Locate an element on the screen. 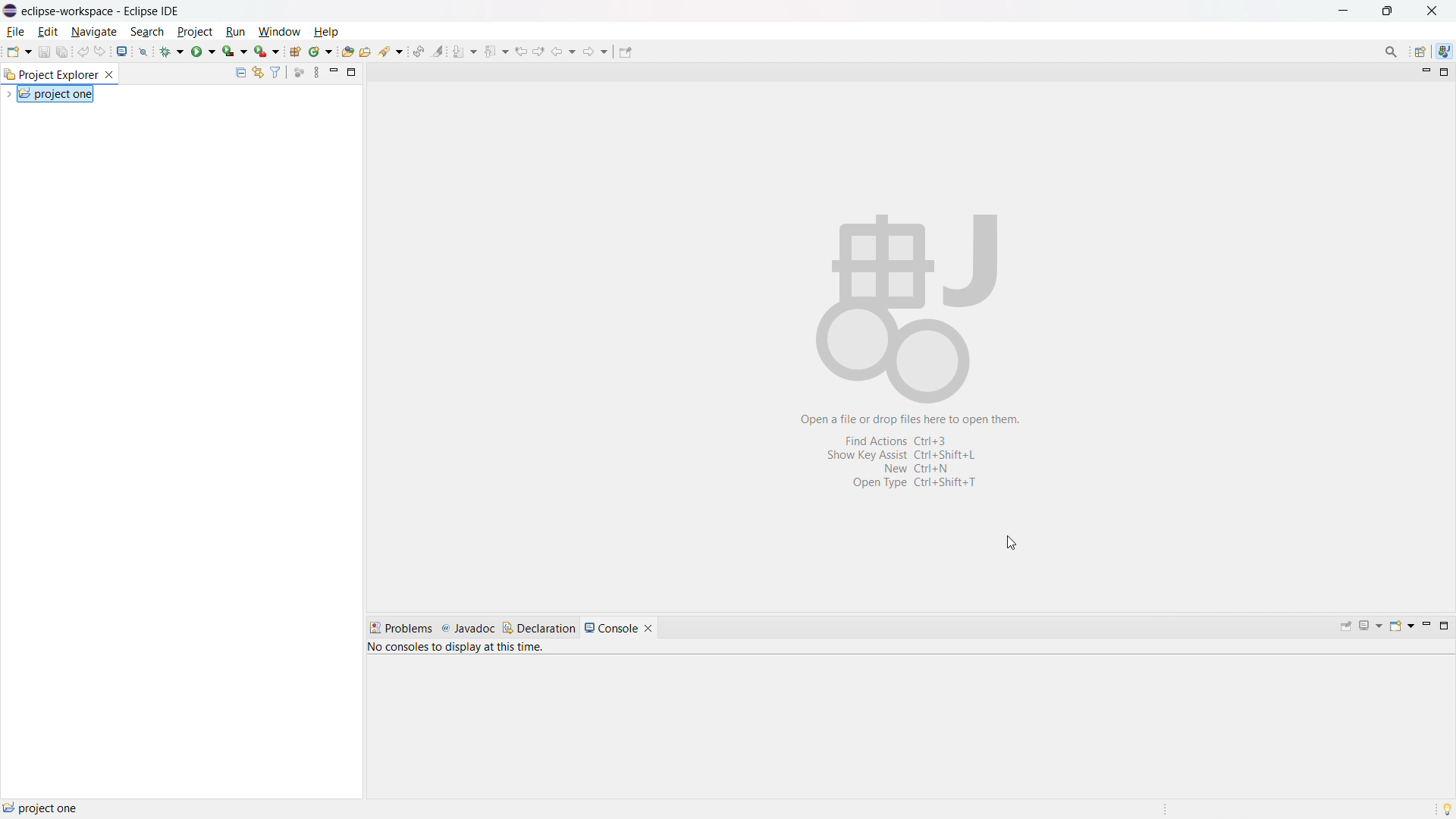 Image resolution: width=1456 pixels, height=819 pixels. open task is located at coordinates (366, 51).